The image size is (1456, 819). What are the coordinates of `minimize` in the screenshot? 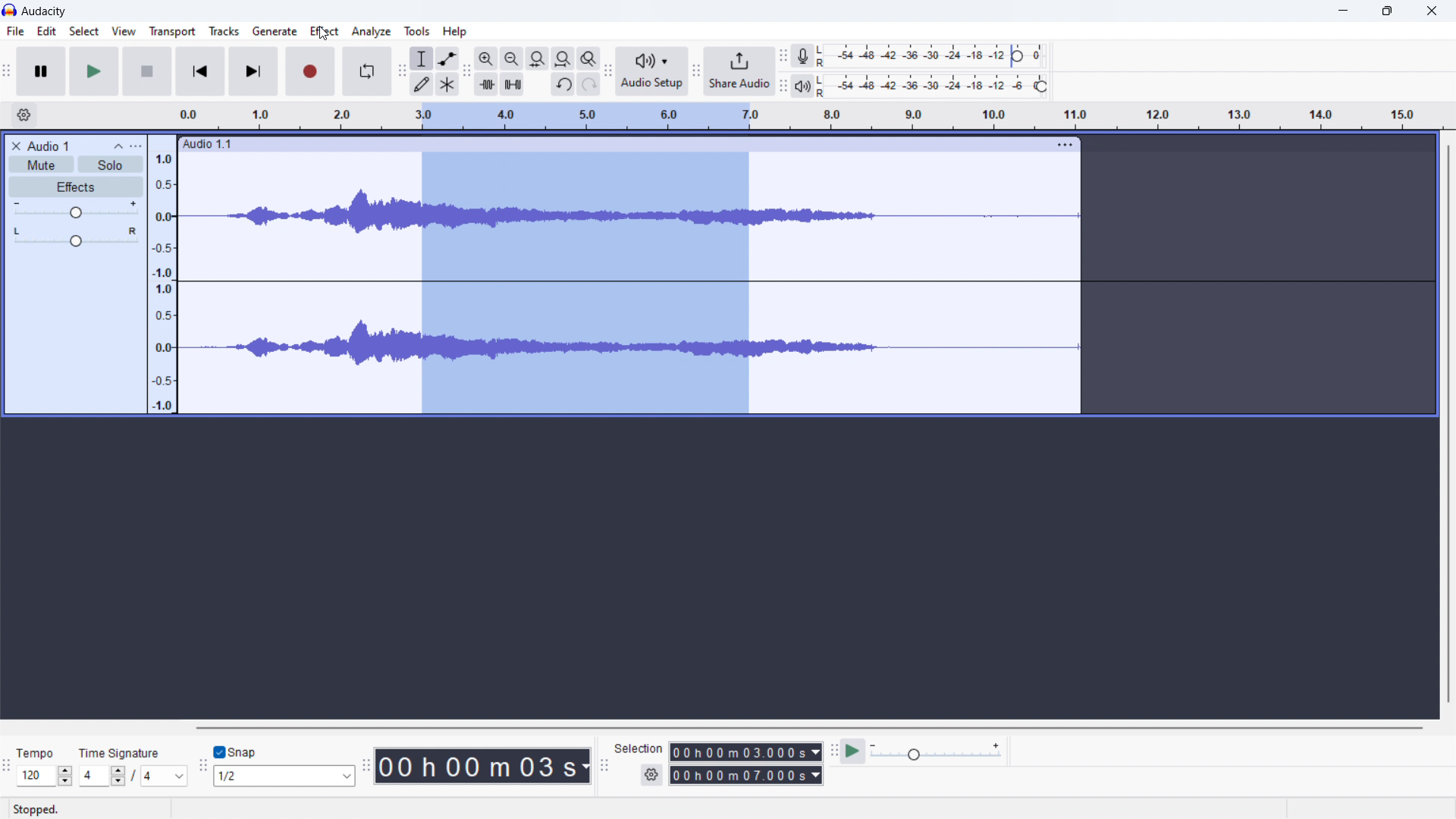 It's located at (1345, 11).